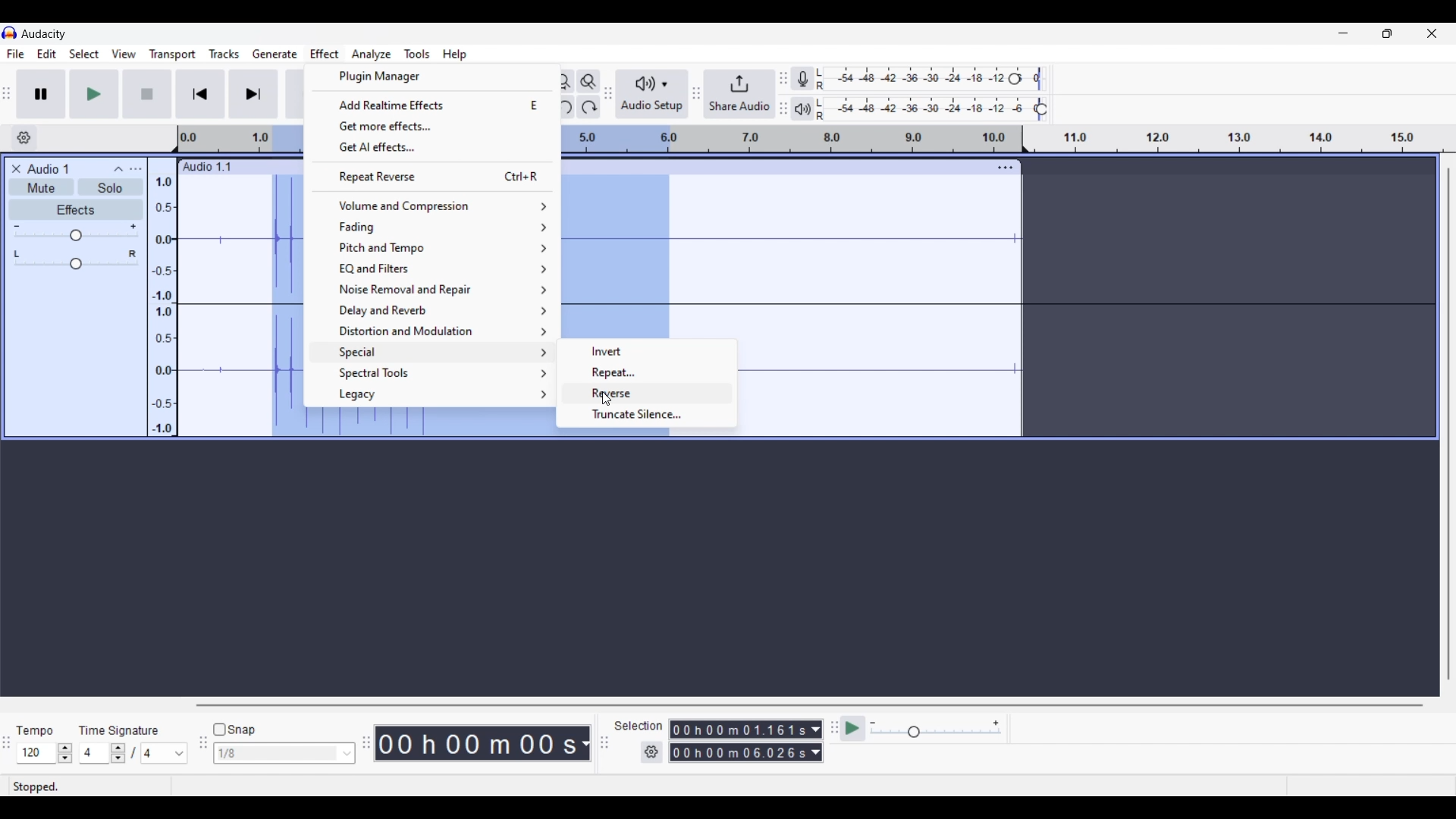  What do you see at coordinates (64, 754) in the screenshot?
I see `Increase/Decrease tempo` at bounding box center [64, 754].